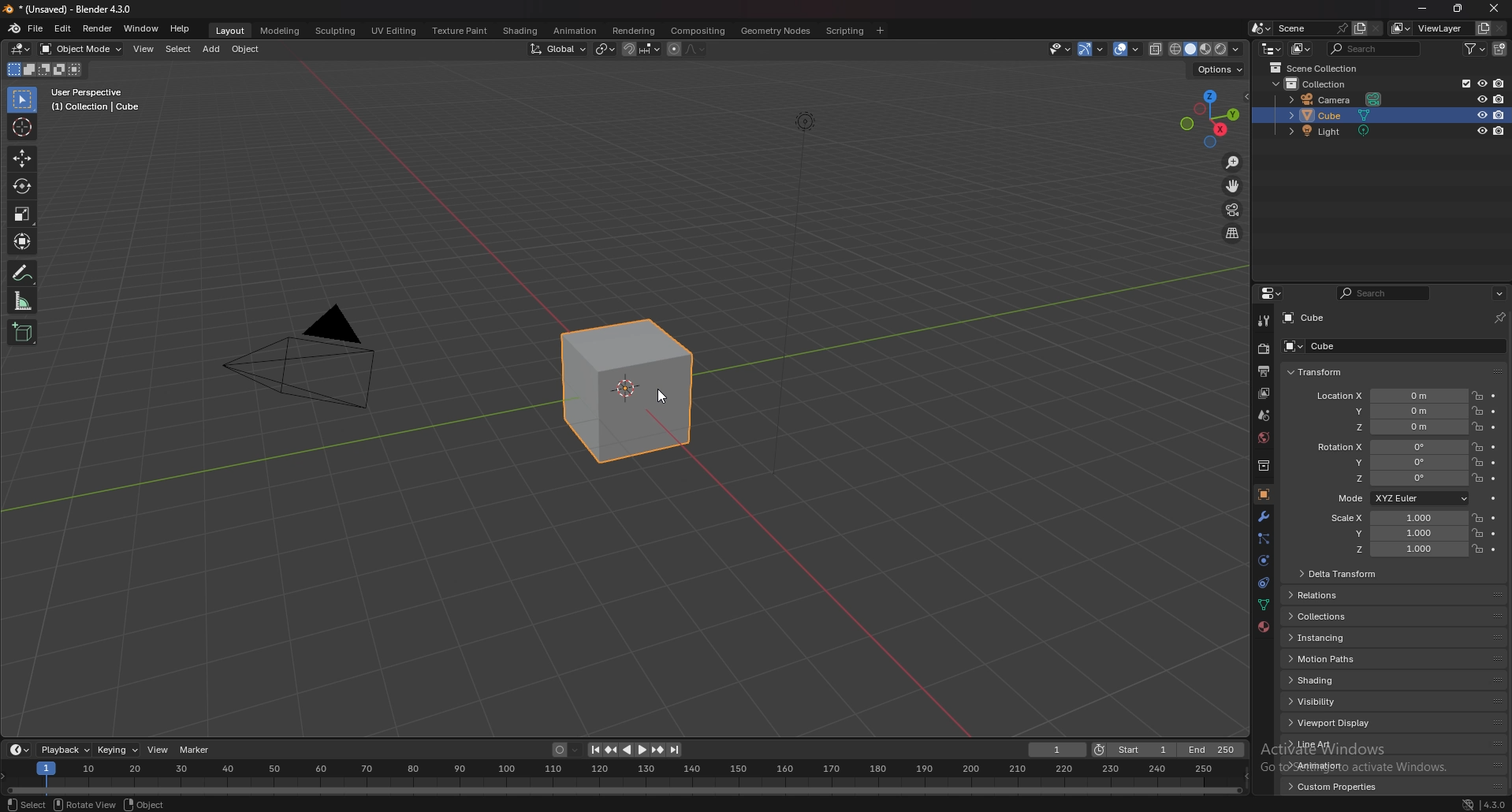  What do you see at coordinates (1353, 596) in the screenshot?
I see `relations` at bounding box center [1353, 596].